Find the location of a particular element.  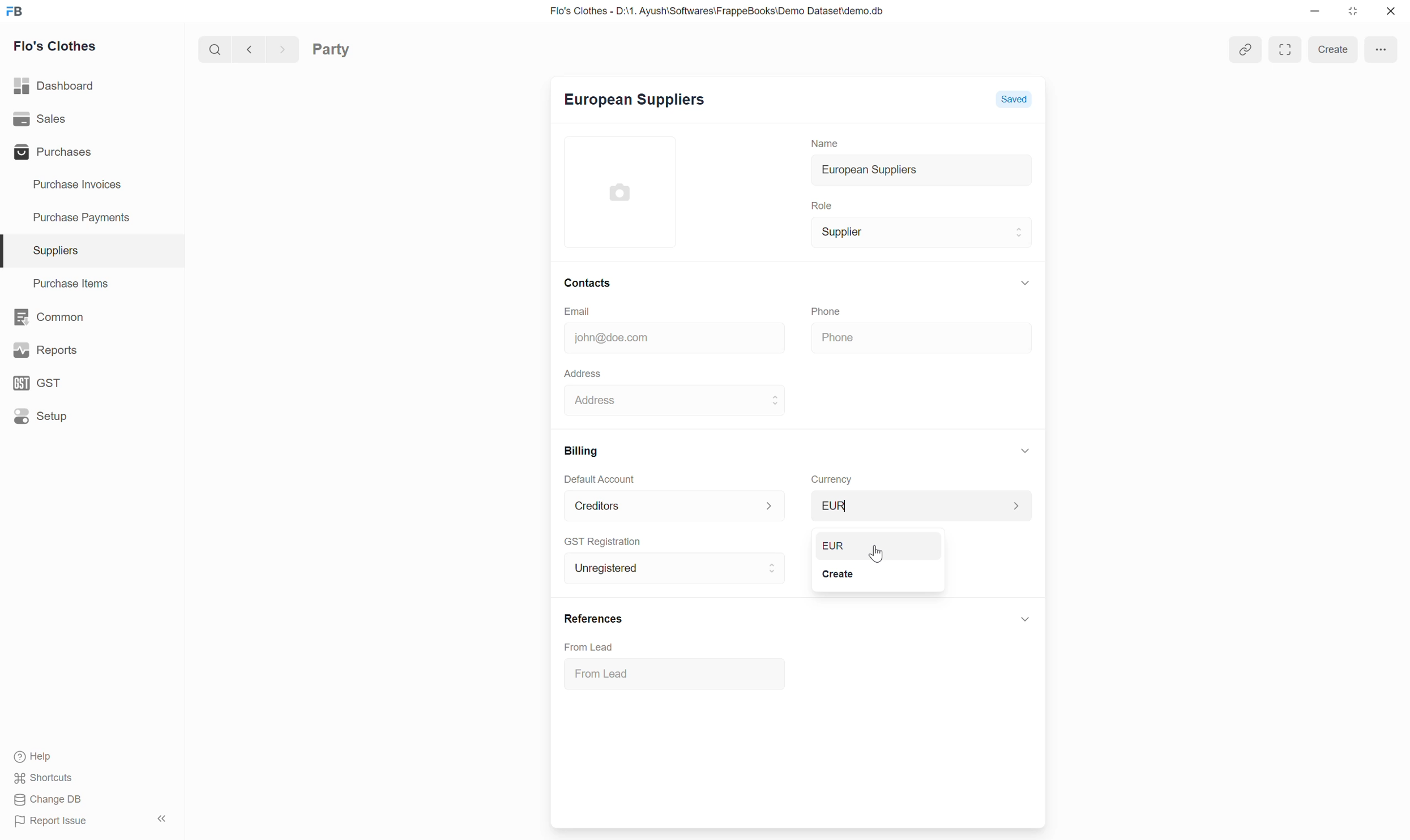

menu is located at coordinates (1381, 47).